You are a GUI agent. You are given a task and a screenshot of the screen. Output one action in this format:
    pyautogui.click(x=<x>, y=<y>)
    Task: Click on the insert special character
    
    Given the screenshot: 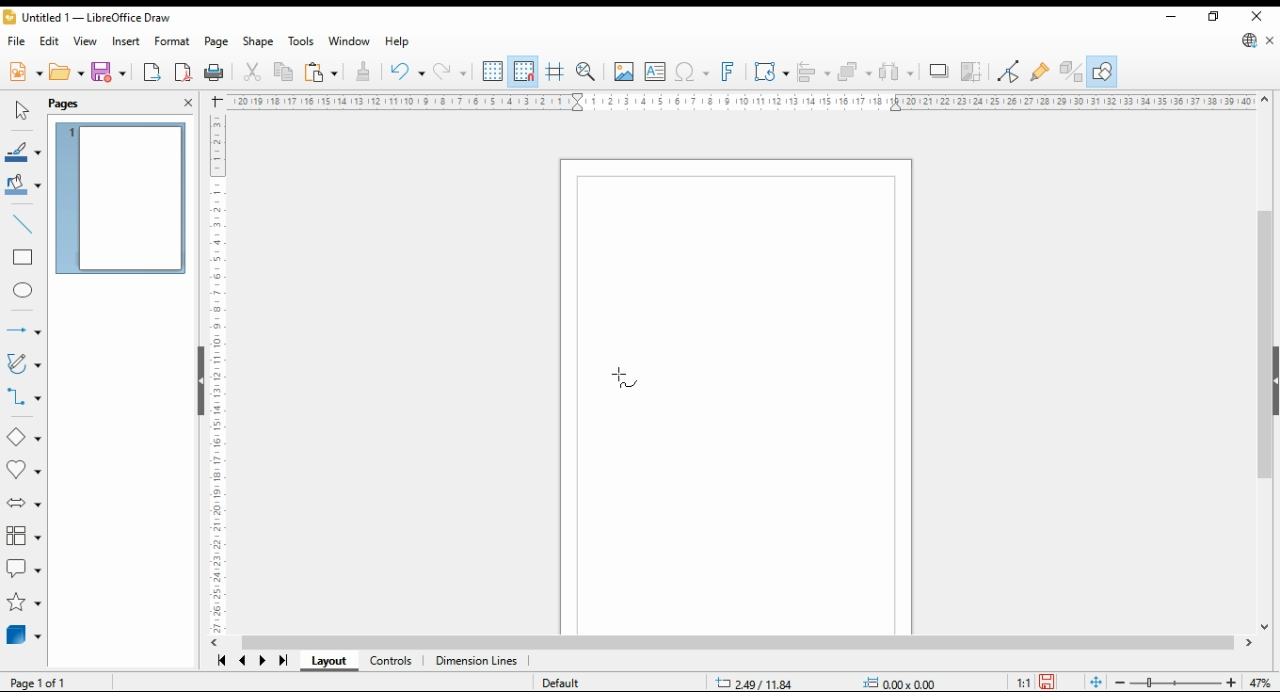 What is the action you would take?
    pyautogui.click(x=693, y=72)
    